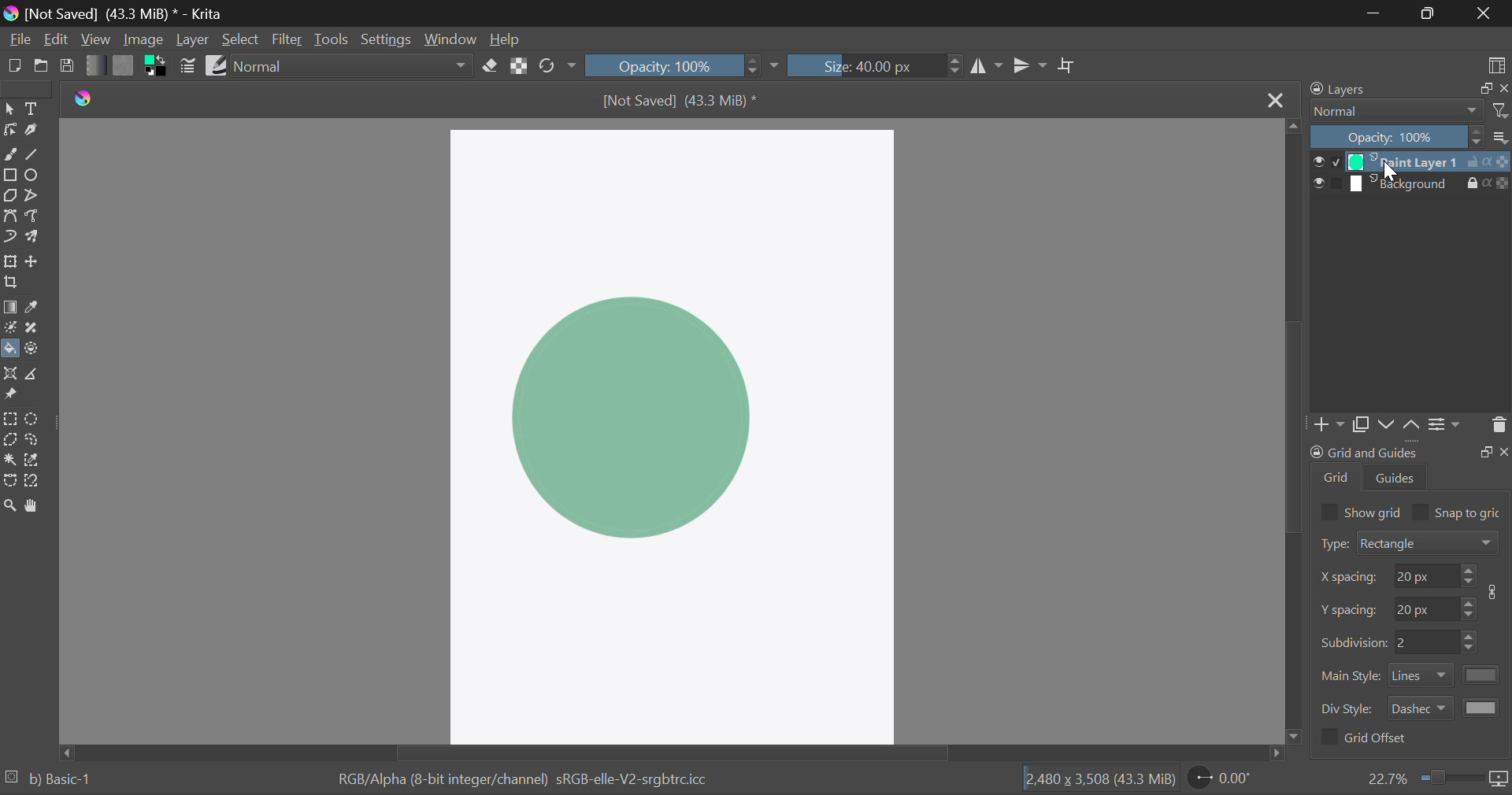 This screenshot has height=795, width=1512. I want to click on Brush Settings, so click(187, 66).